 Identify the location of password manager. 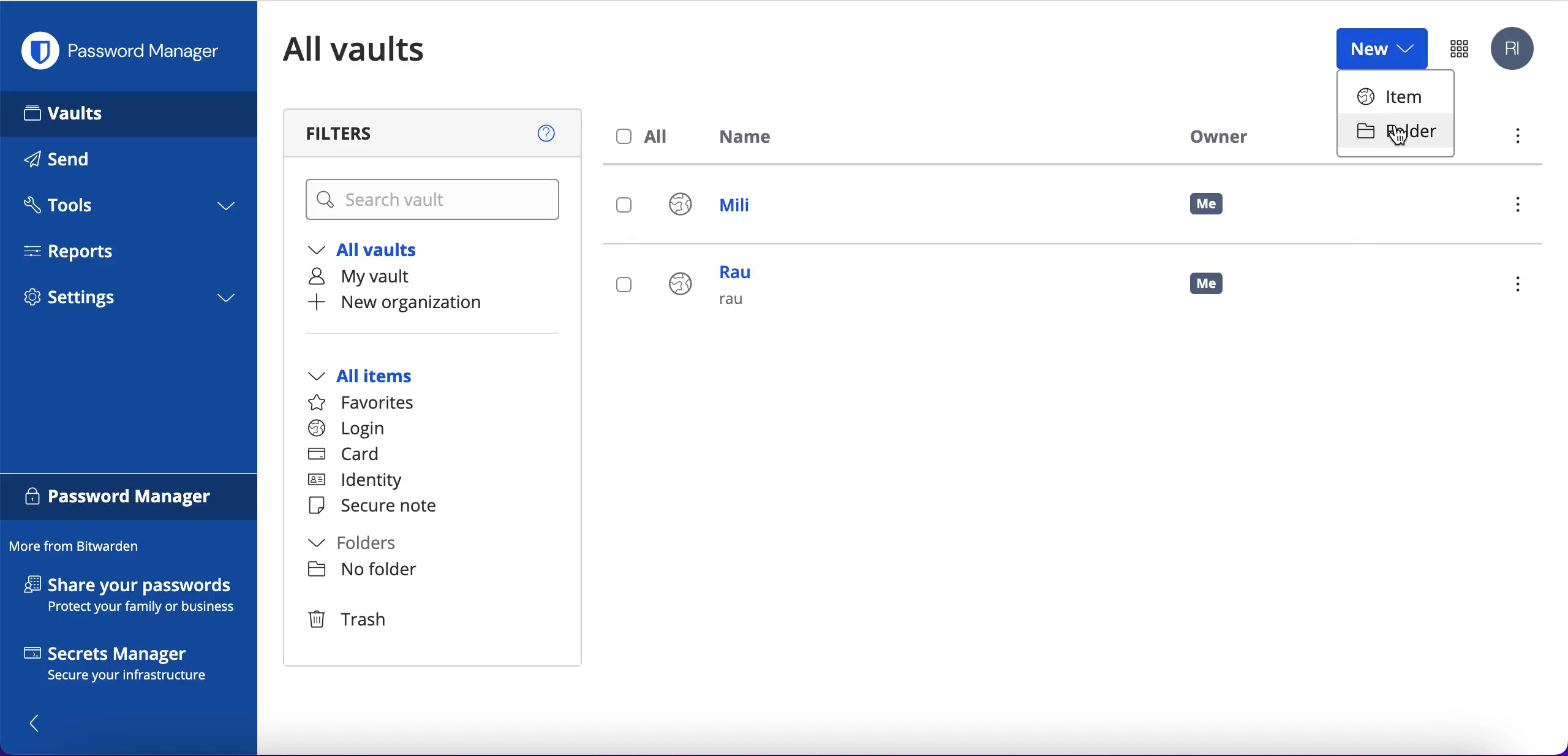
(129, 499).